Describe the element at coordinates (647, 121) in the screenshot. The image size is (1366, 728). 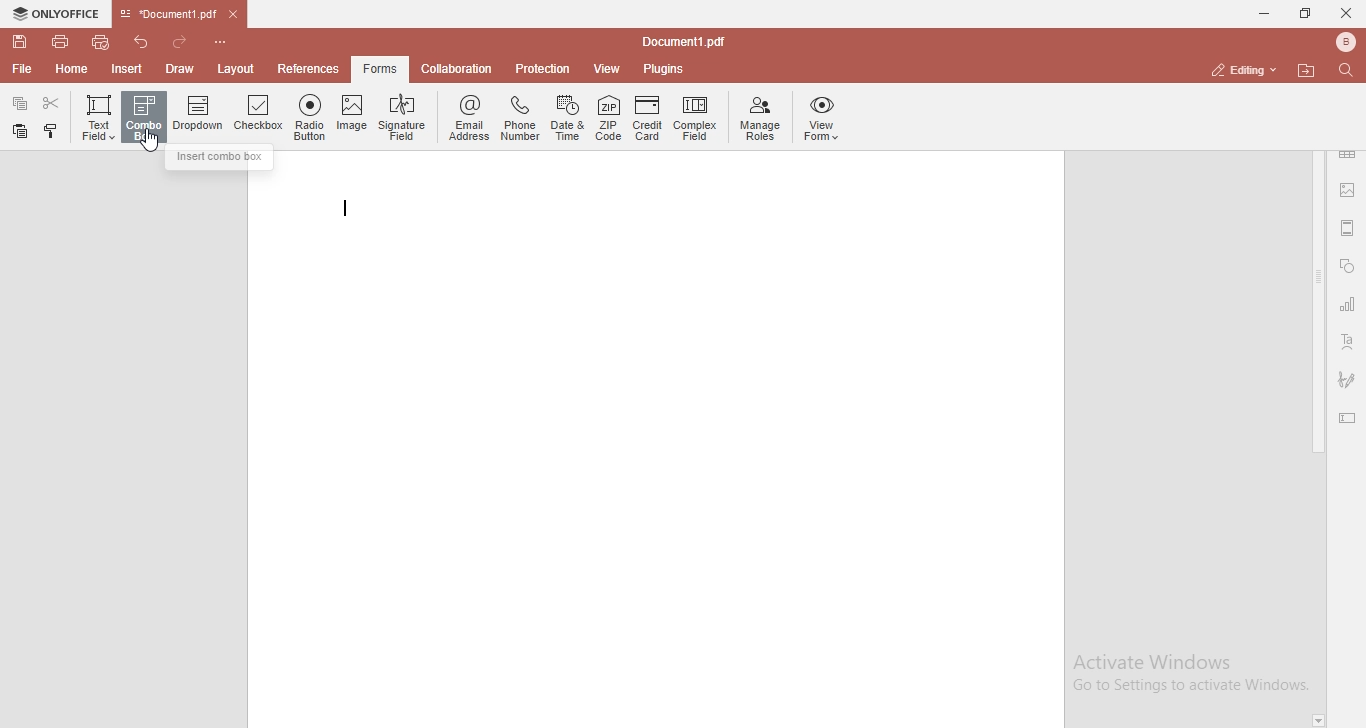
I see `credit card` at that location.